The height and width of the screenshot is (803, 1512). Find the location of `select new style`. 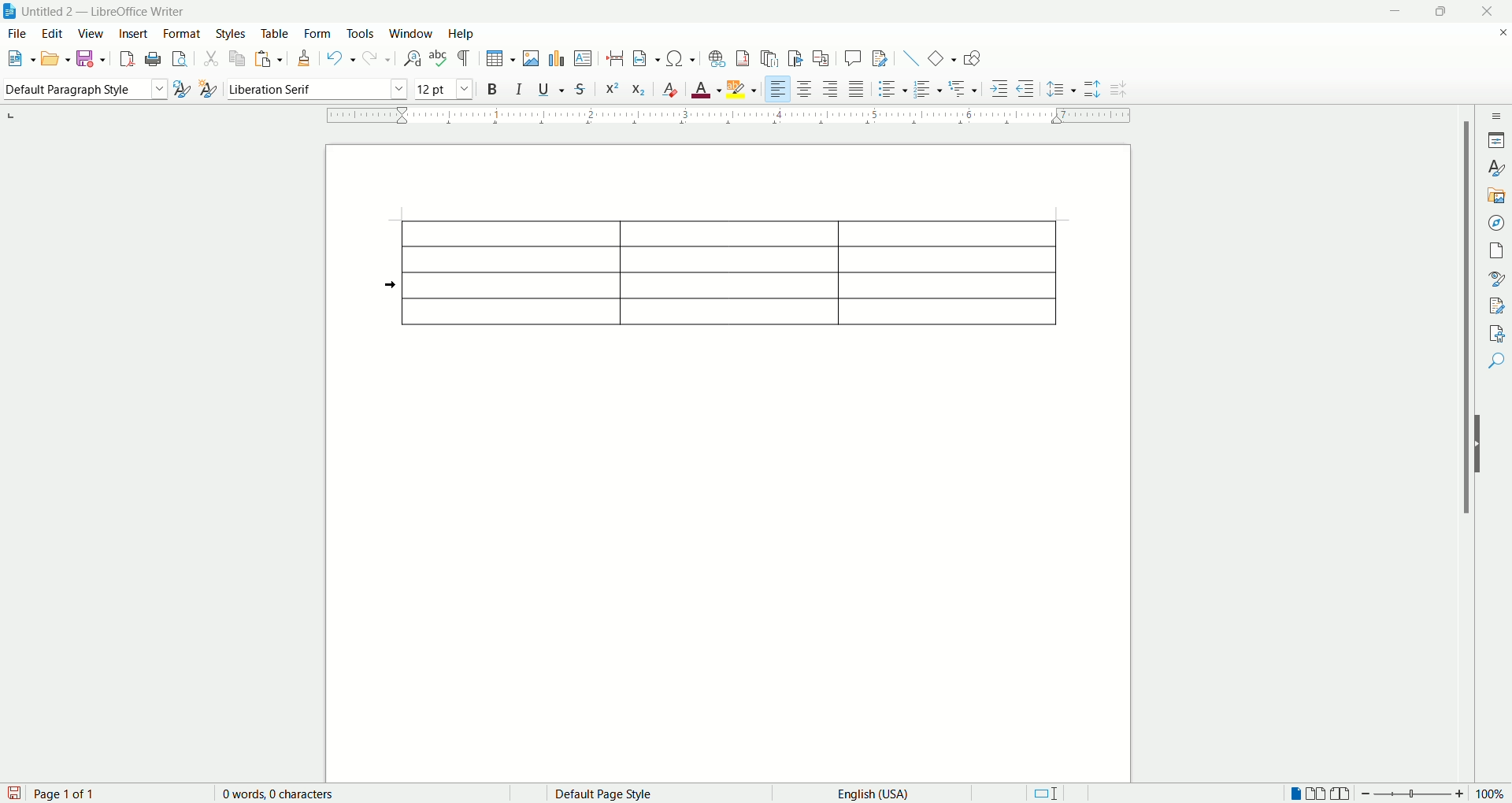

select new style is located at coordinates (206, 89).